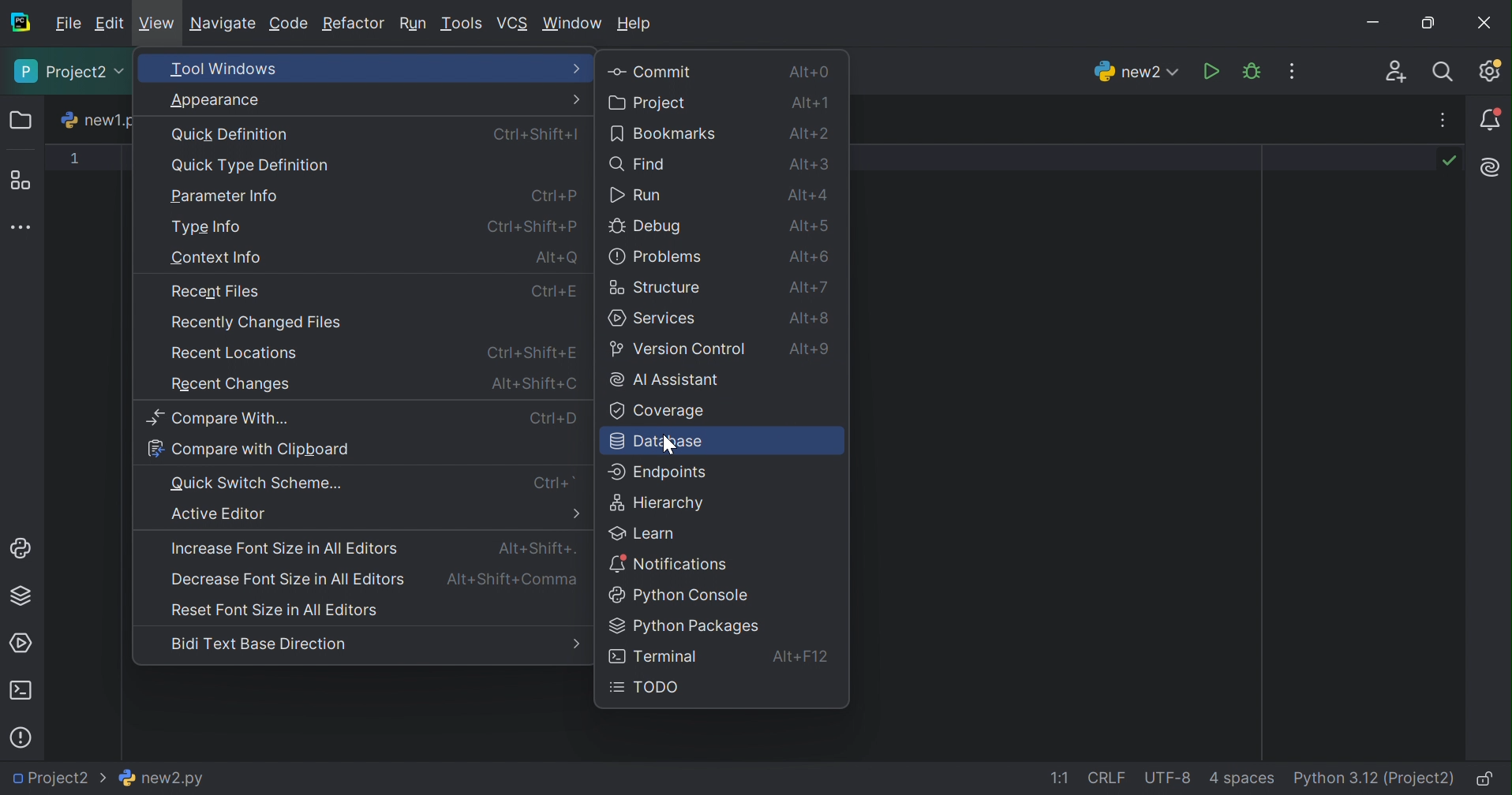 This screenshot has width=1512, height=795. What do you see at coordinates (513, 581) in the screenshot?
I see `Alt+Shift+Comma` at bounding box center [513, 581].